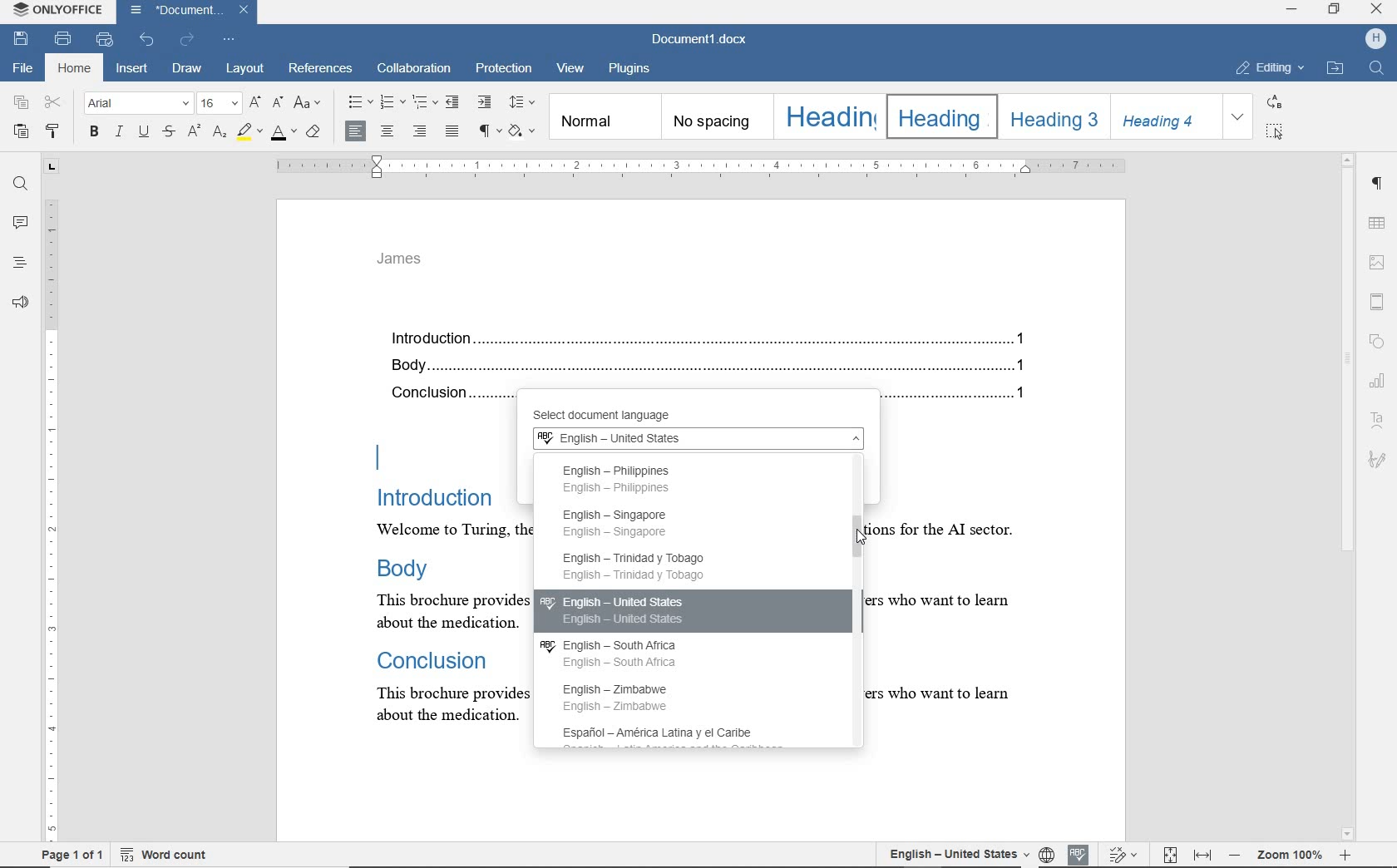  What do you see at coordinates (120, 132) in the screenshot?
I see `italic` at bounding box center [120, 132].